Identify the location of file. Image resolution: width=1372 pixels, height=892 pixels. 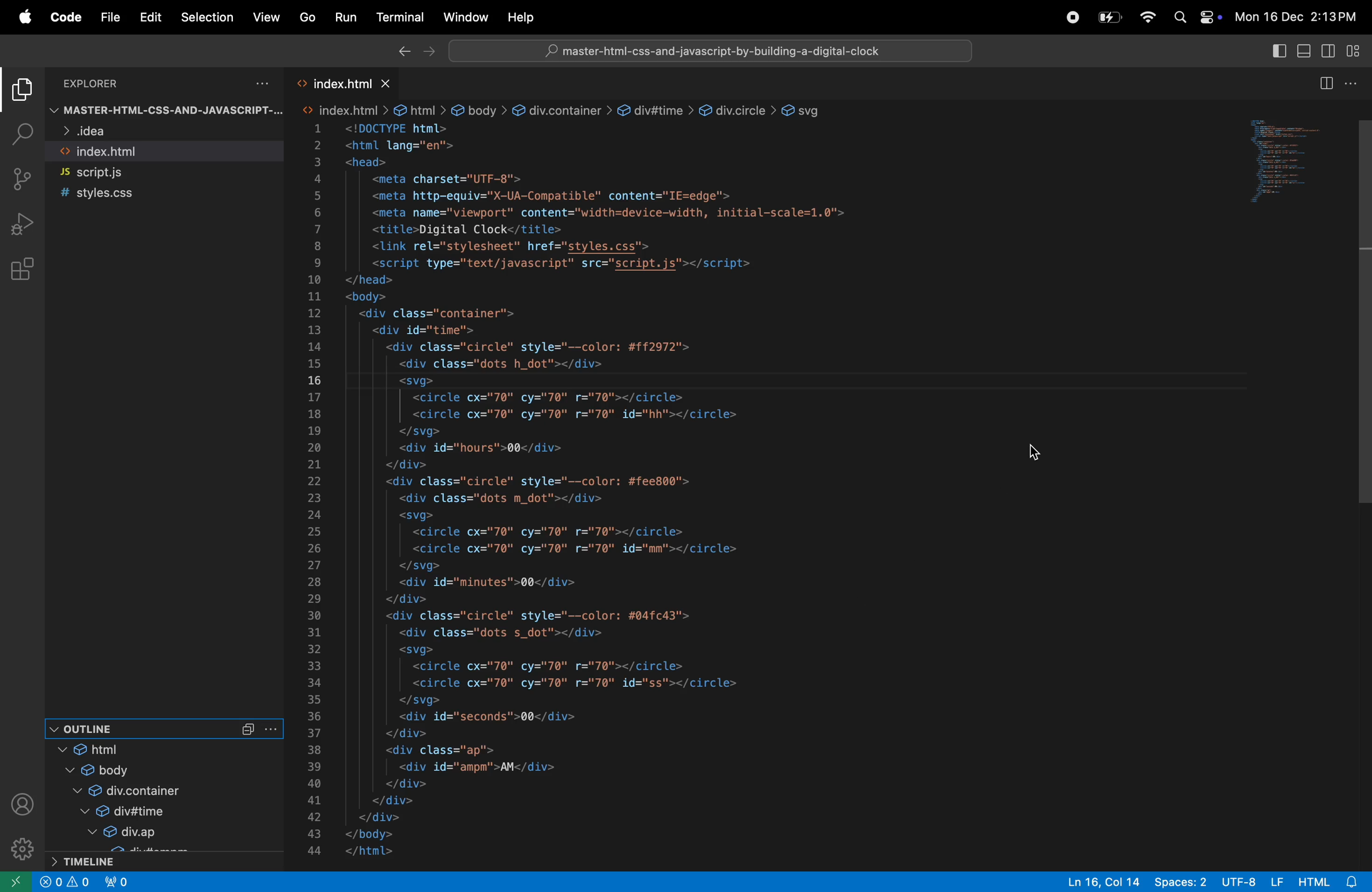
(108, 20).